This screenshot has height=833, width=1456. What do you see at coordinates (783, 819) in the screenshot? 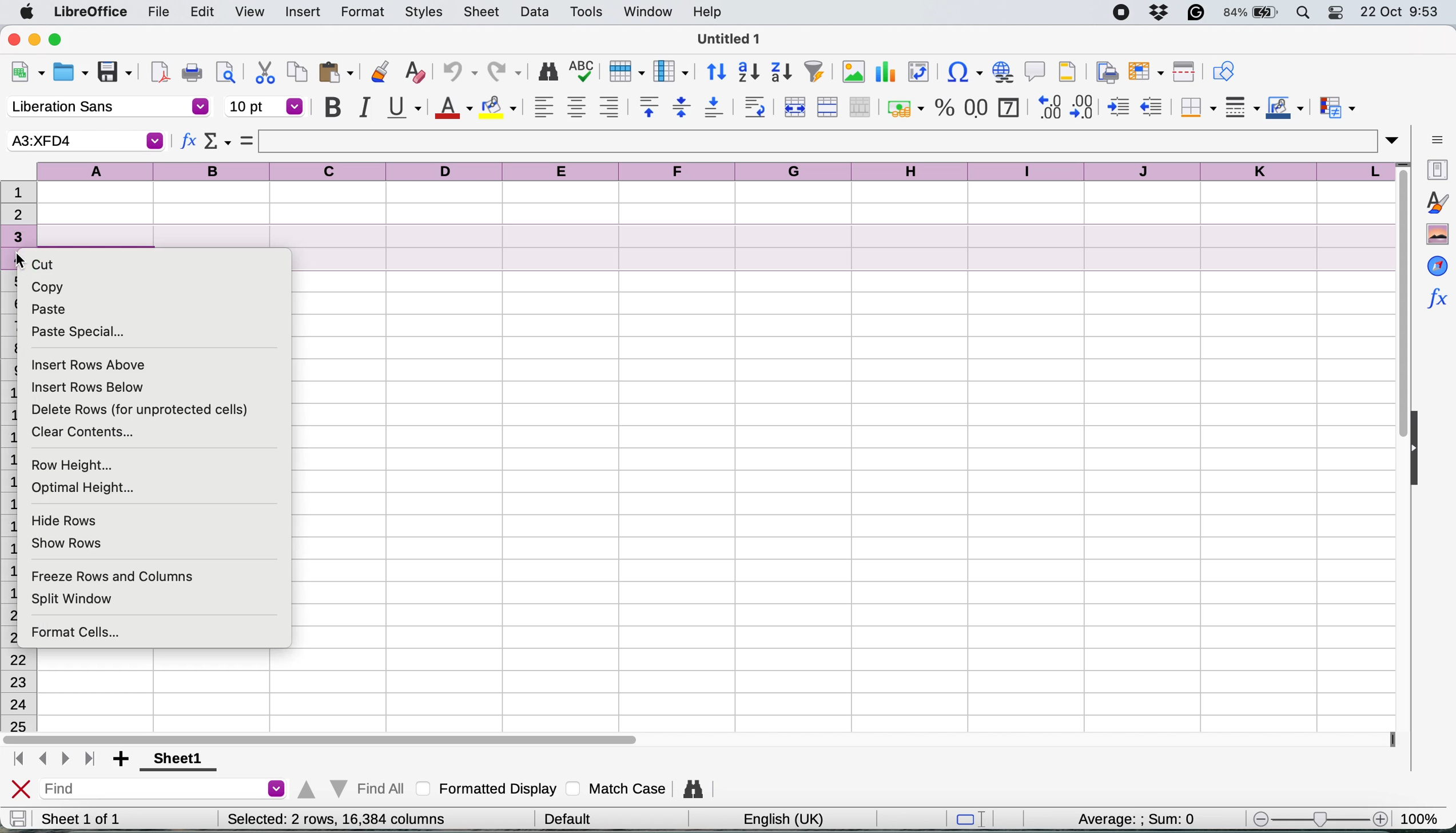
I see `english uk` at bounding box center [783, 819].